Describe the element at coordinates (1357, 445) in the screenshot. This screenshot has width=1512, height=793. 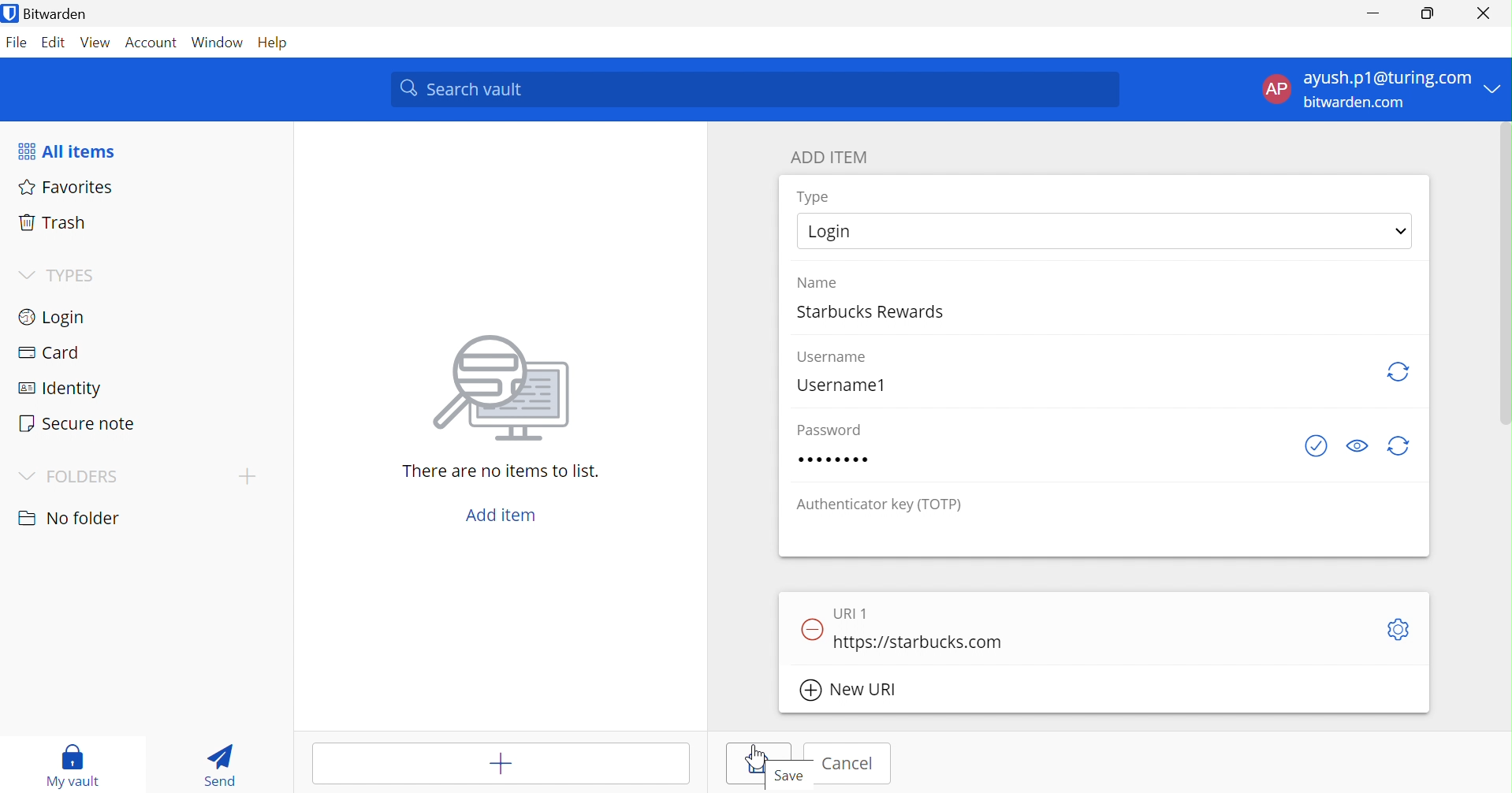
I see `Toggle visibility` at that location.